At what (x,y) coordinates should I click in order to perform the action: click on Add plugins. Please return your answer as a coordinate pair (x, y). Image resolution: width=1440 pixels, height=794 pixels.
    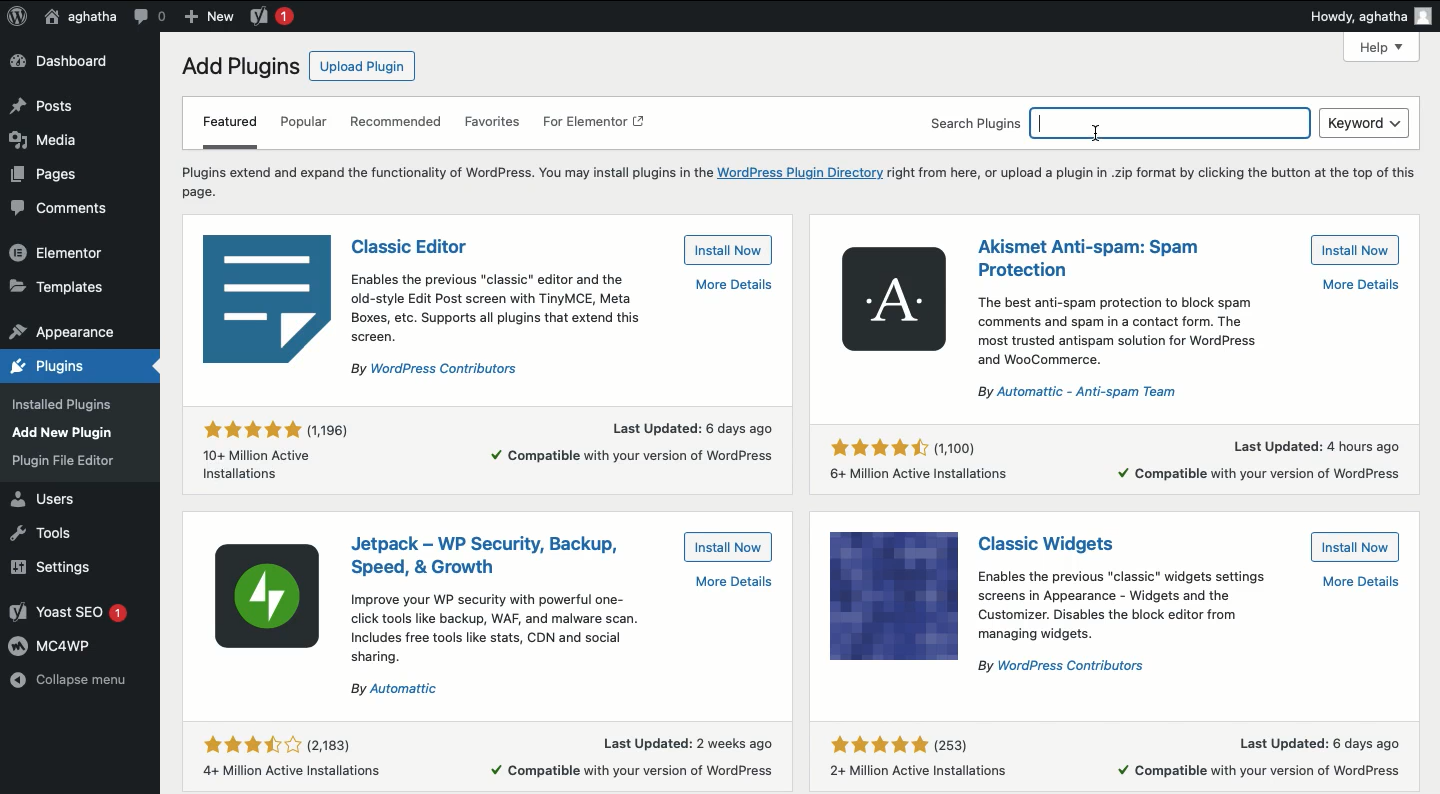
    Looking at the image, I should click on (238, 67).